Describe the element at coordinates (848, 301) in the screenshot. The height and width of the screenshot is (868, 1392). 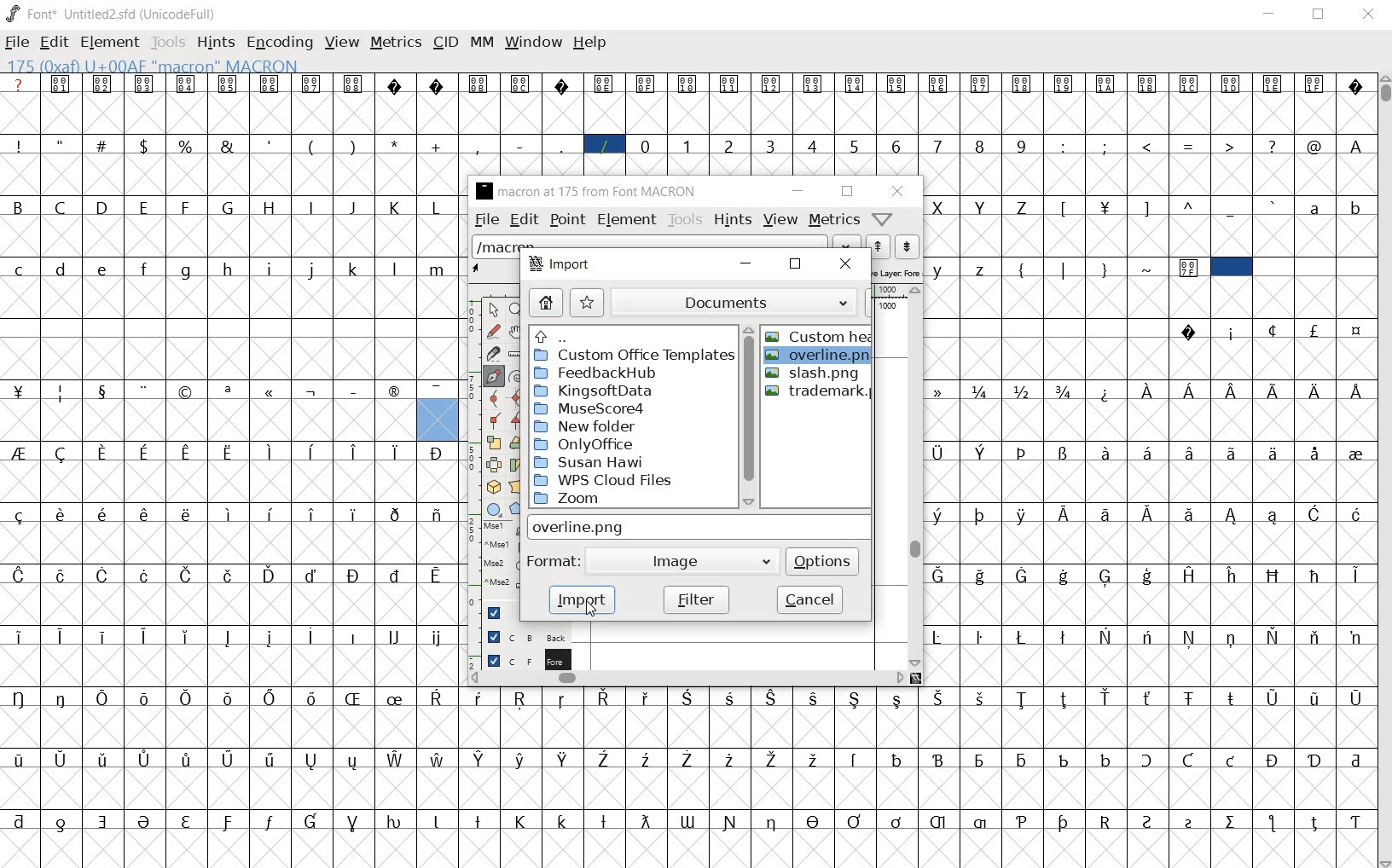
I see `drop down` at that location.